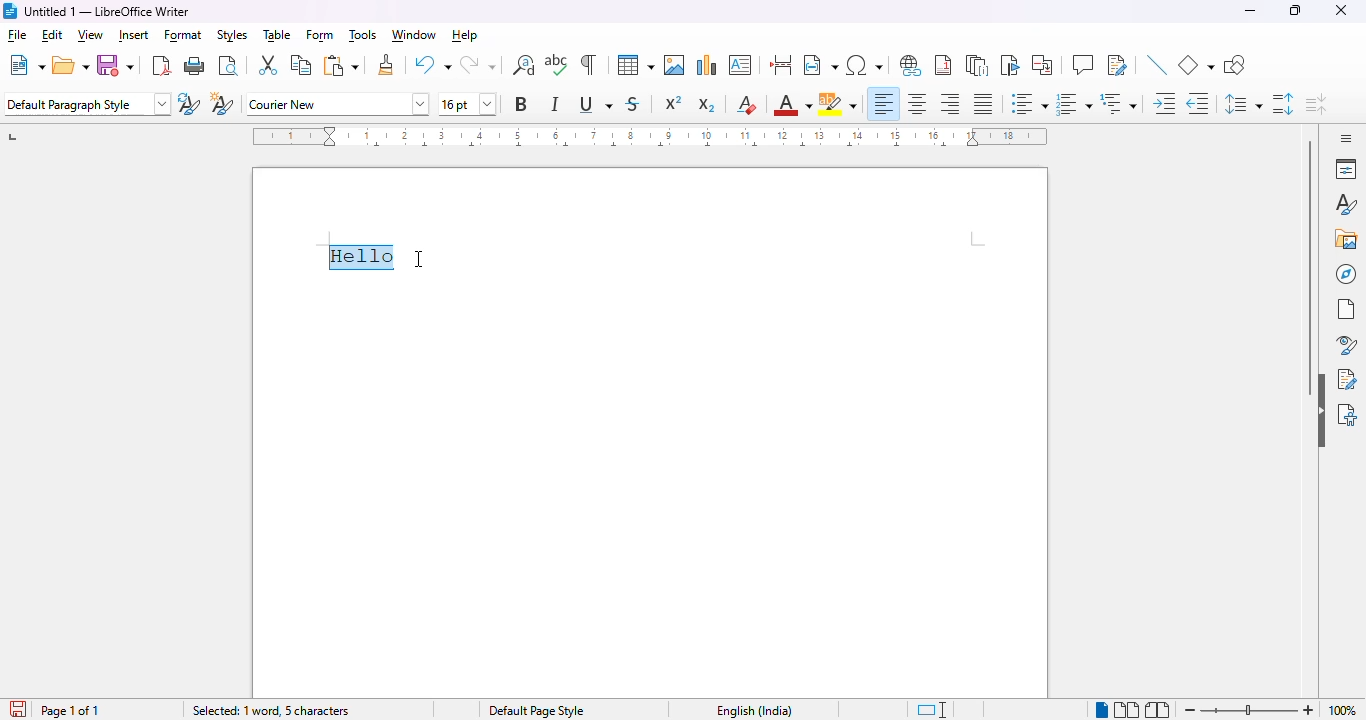 The width and height of the screenshot is (1366, 720). What do you see at coordinates (420, 258) in the screenshot?
I see `cursor` at bounding box center [420, 258].